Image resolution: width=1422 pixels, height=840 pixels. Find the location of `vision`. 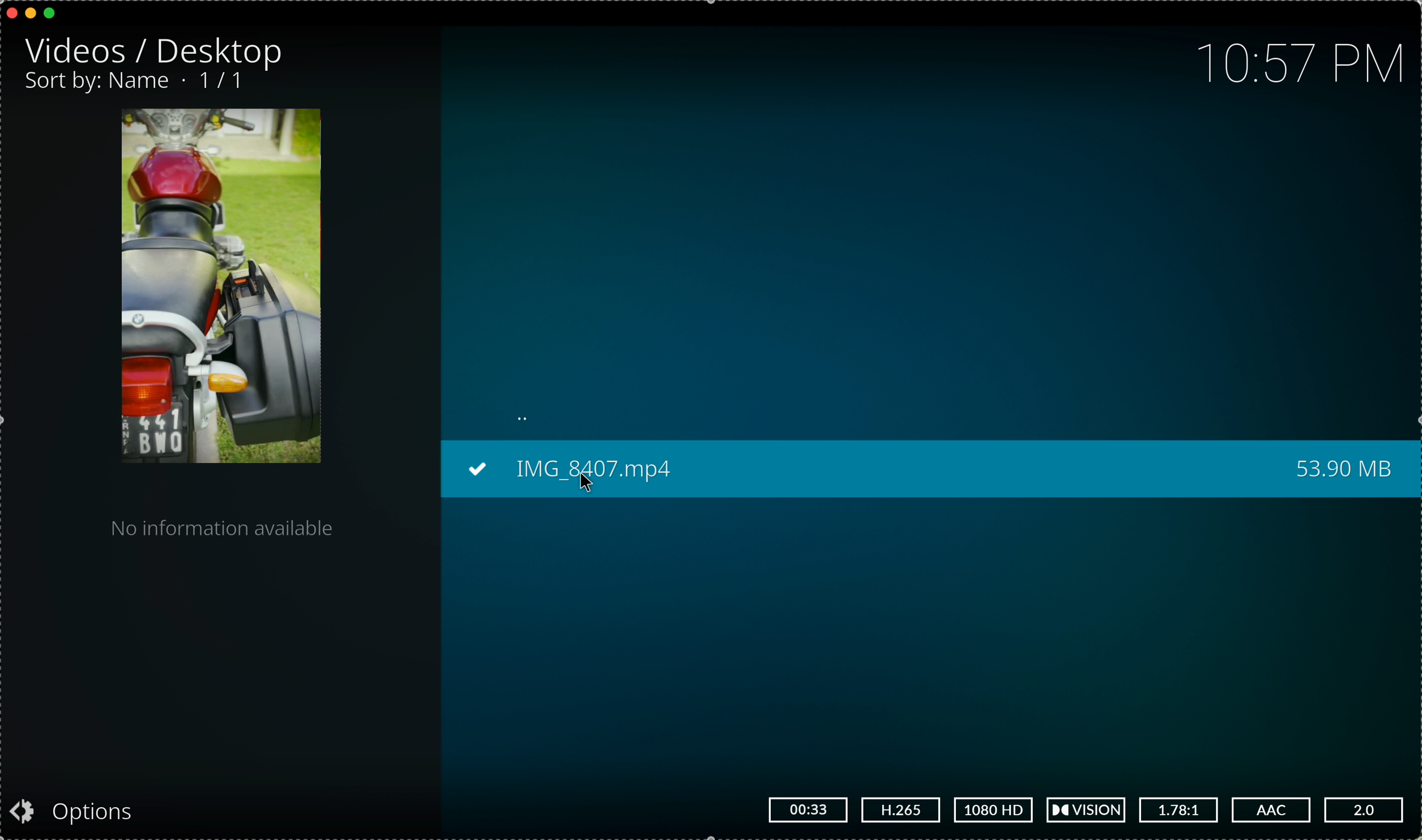

vision is located at coordinates (1087, 809).